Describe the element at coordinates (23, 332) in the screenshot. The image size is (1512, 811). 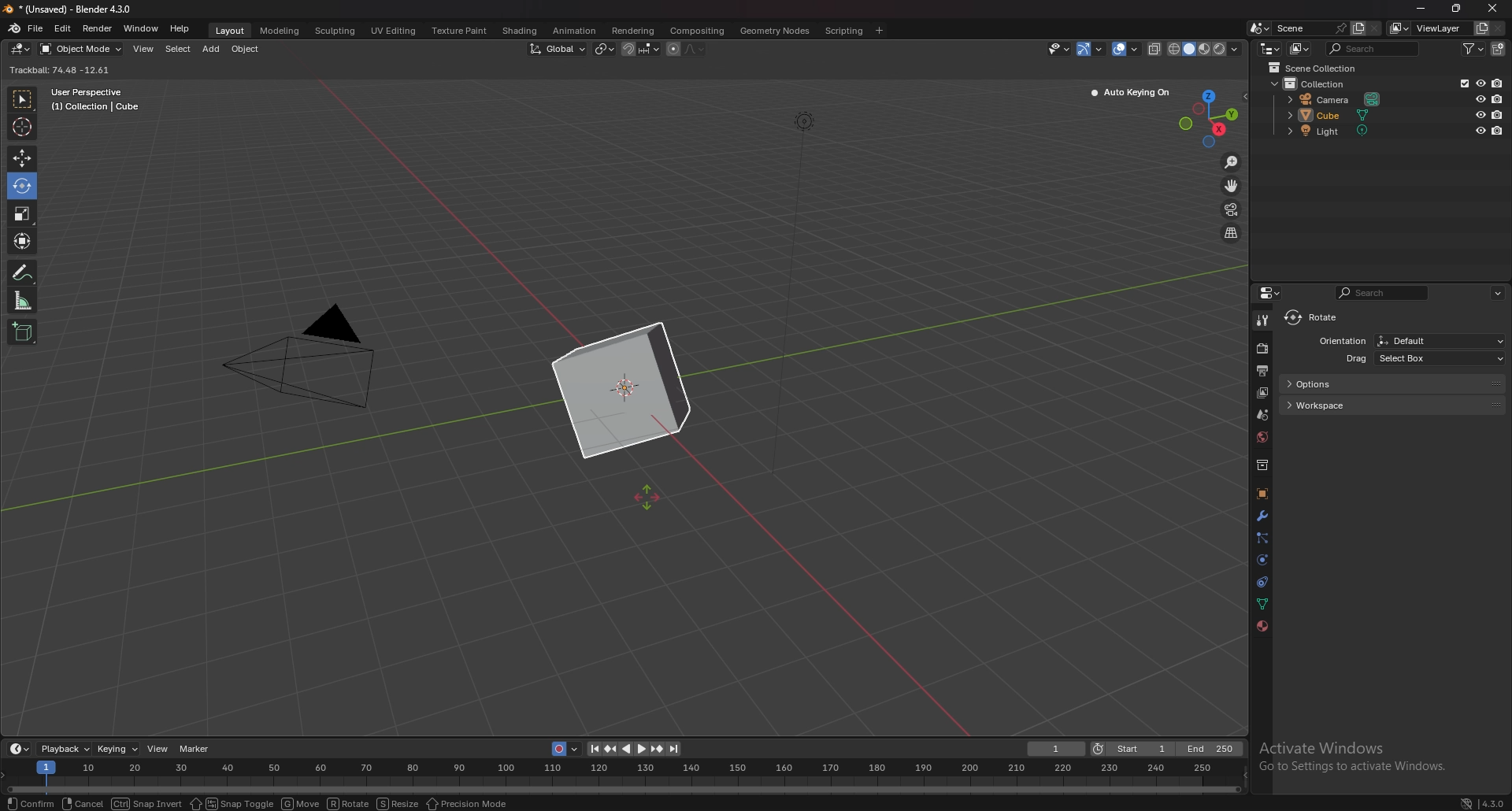
I see `add cube` at that location.